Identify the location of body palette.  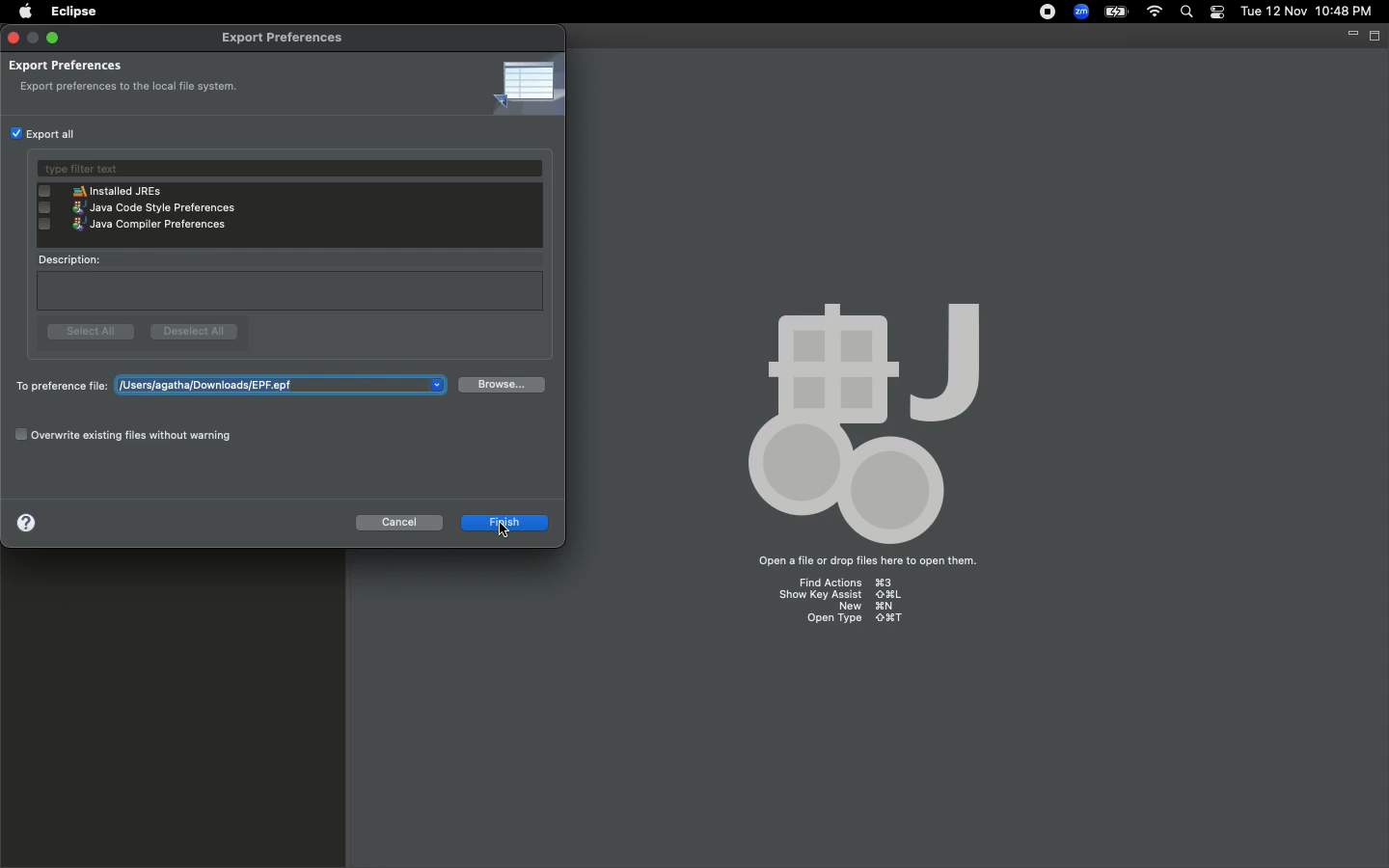
(859, 420).